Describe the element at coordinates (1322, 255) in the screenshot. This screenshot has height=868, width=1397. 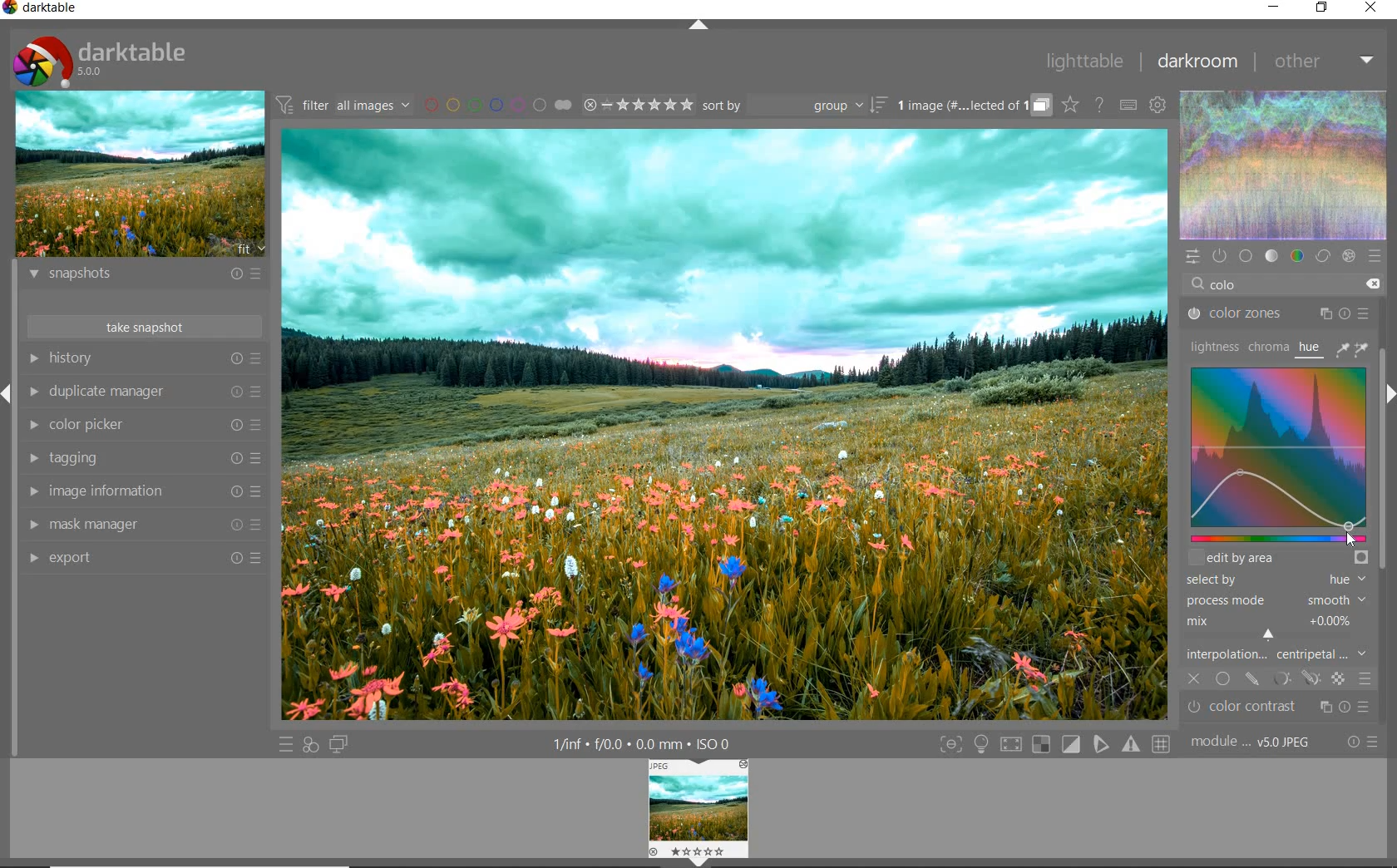
I see `correct` at that location.